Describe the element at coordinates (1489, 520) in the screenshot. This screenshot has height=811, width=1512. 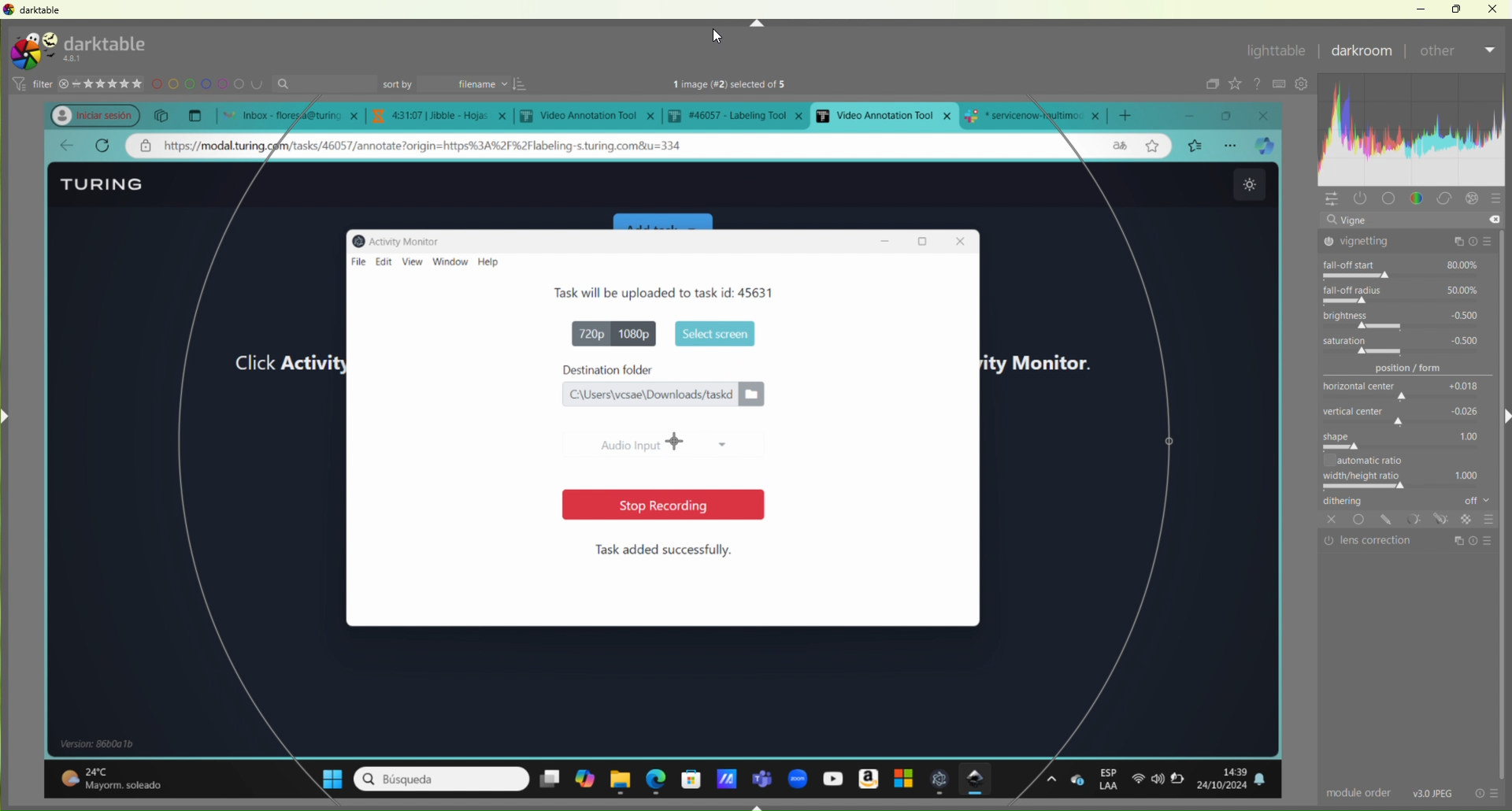
I see `` at that location.